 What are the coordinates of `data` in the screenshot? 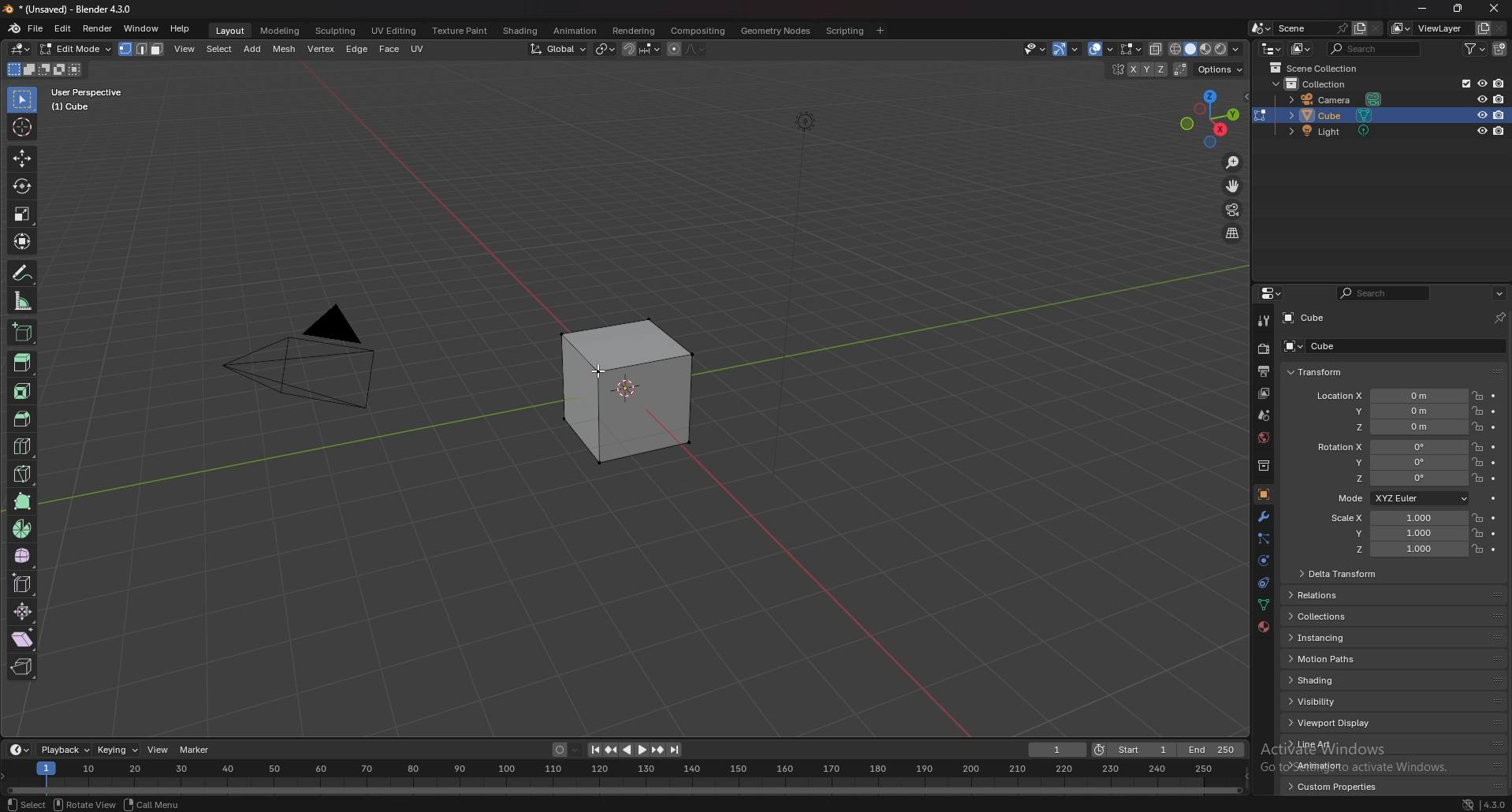 It's located at (1263, 605).